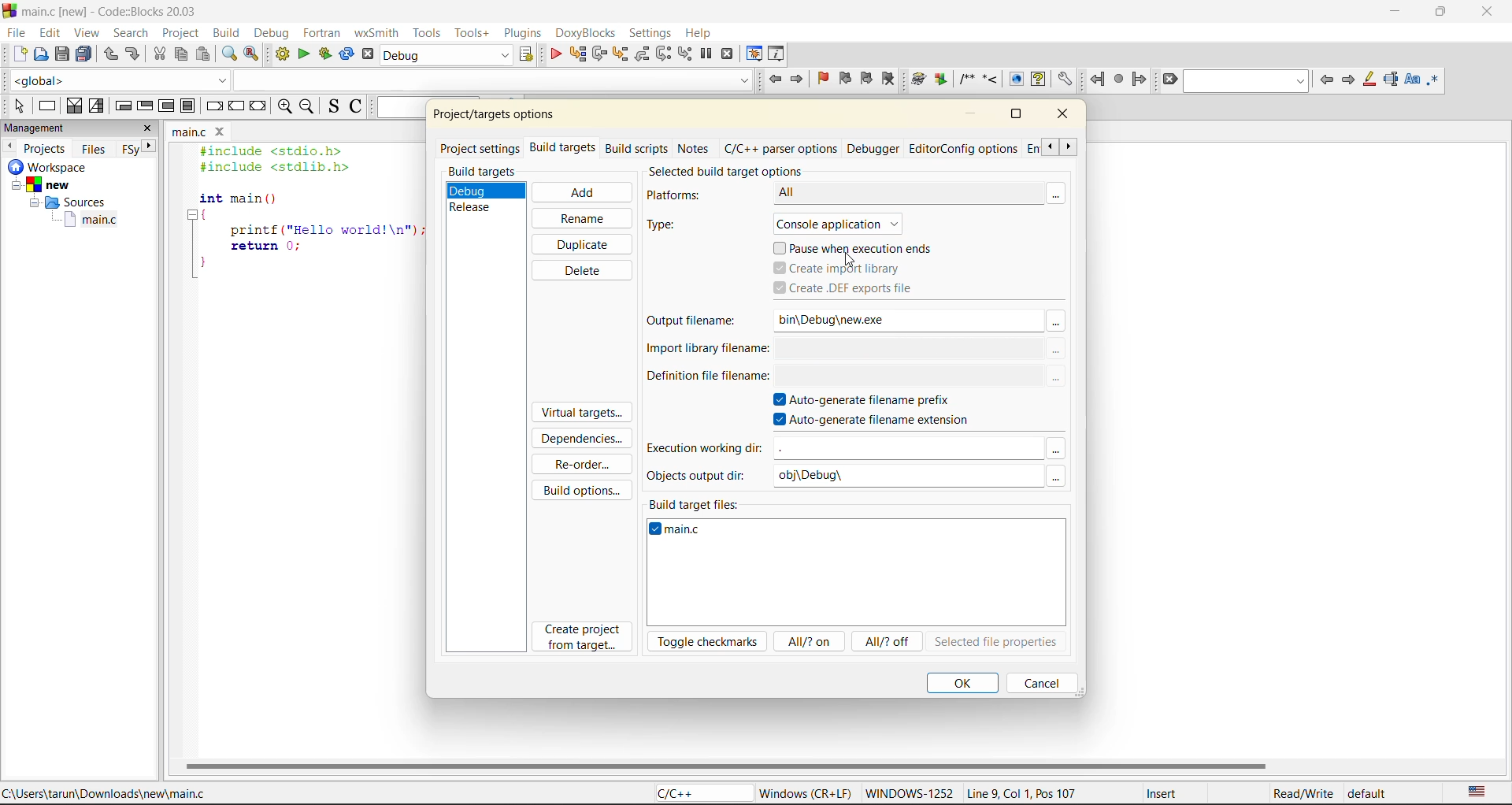  Describe the element at coordinates (160, 54) in the screenshot. I see `cut` at that location.